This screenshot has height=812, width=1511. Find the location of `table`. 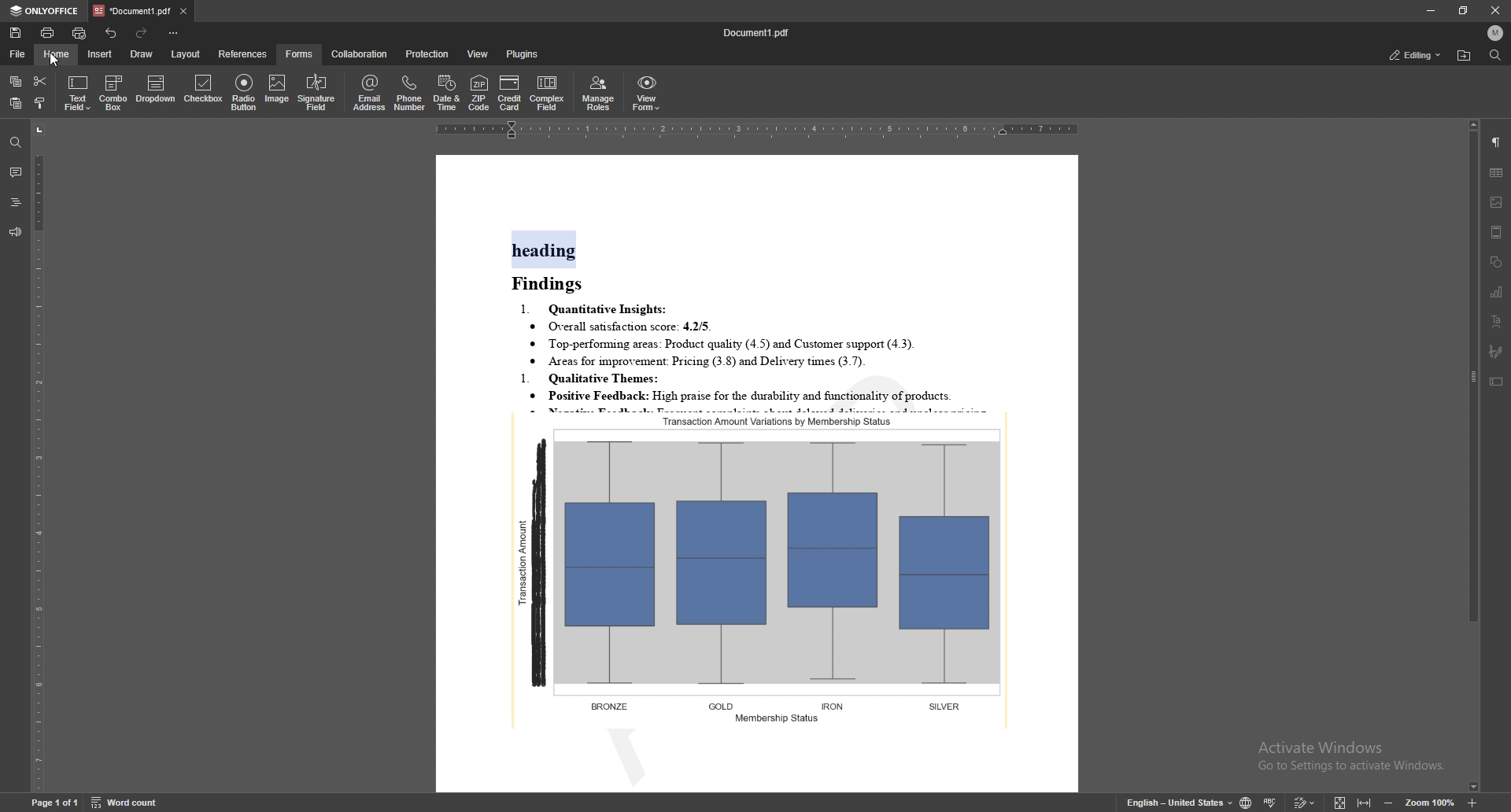

table is located at coordinates (1497, 172).